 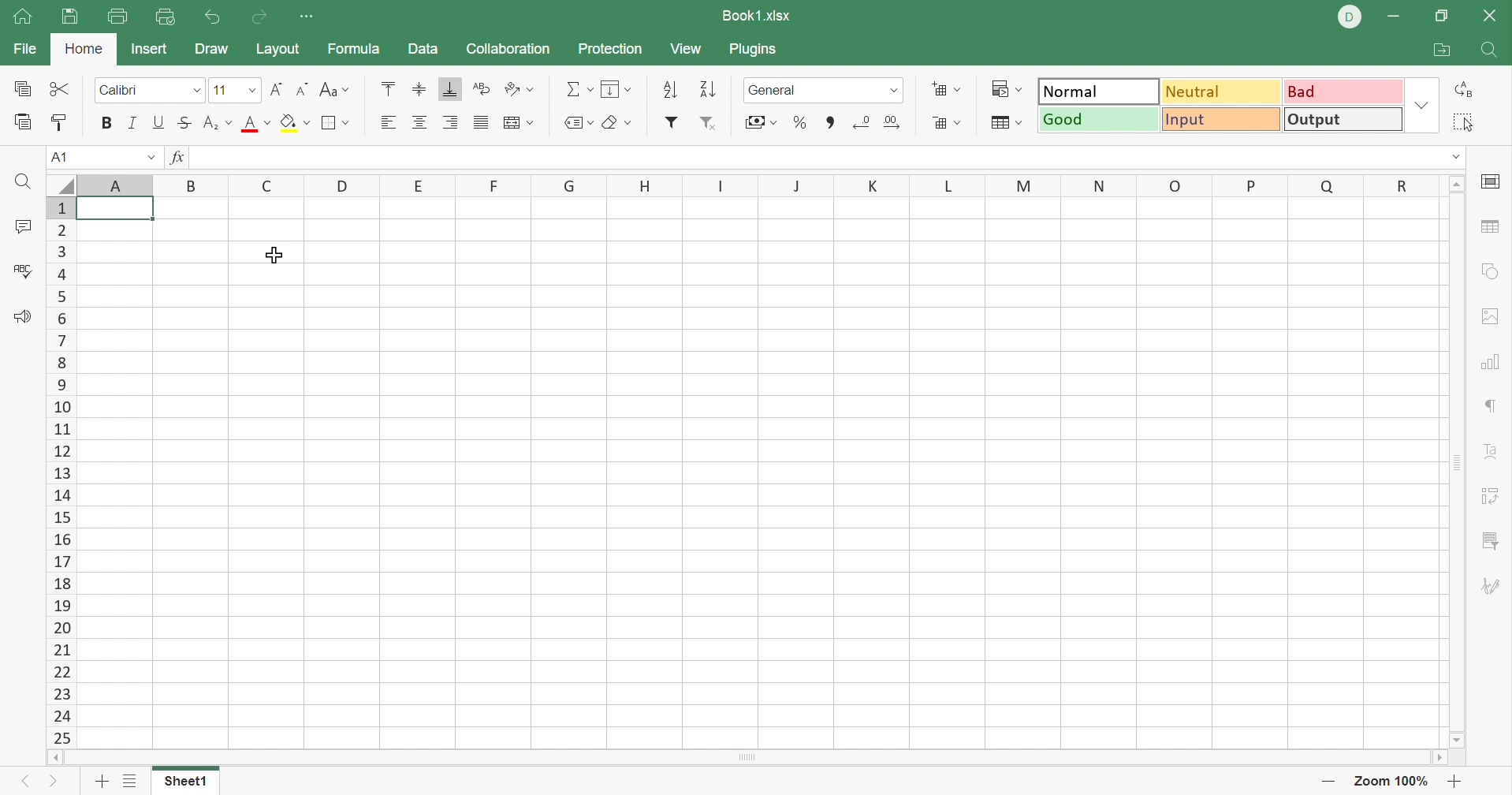 I want to click on Draw, so click(x=210, y=50).